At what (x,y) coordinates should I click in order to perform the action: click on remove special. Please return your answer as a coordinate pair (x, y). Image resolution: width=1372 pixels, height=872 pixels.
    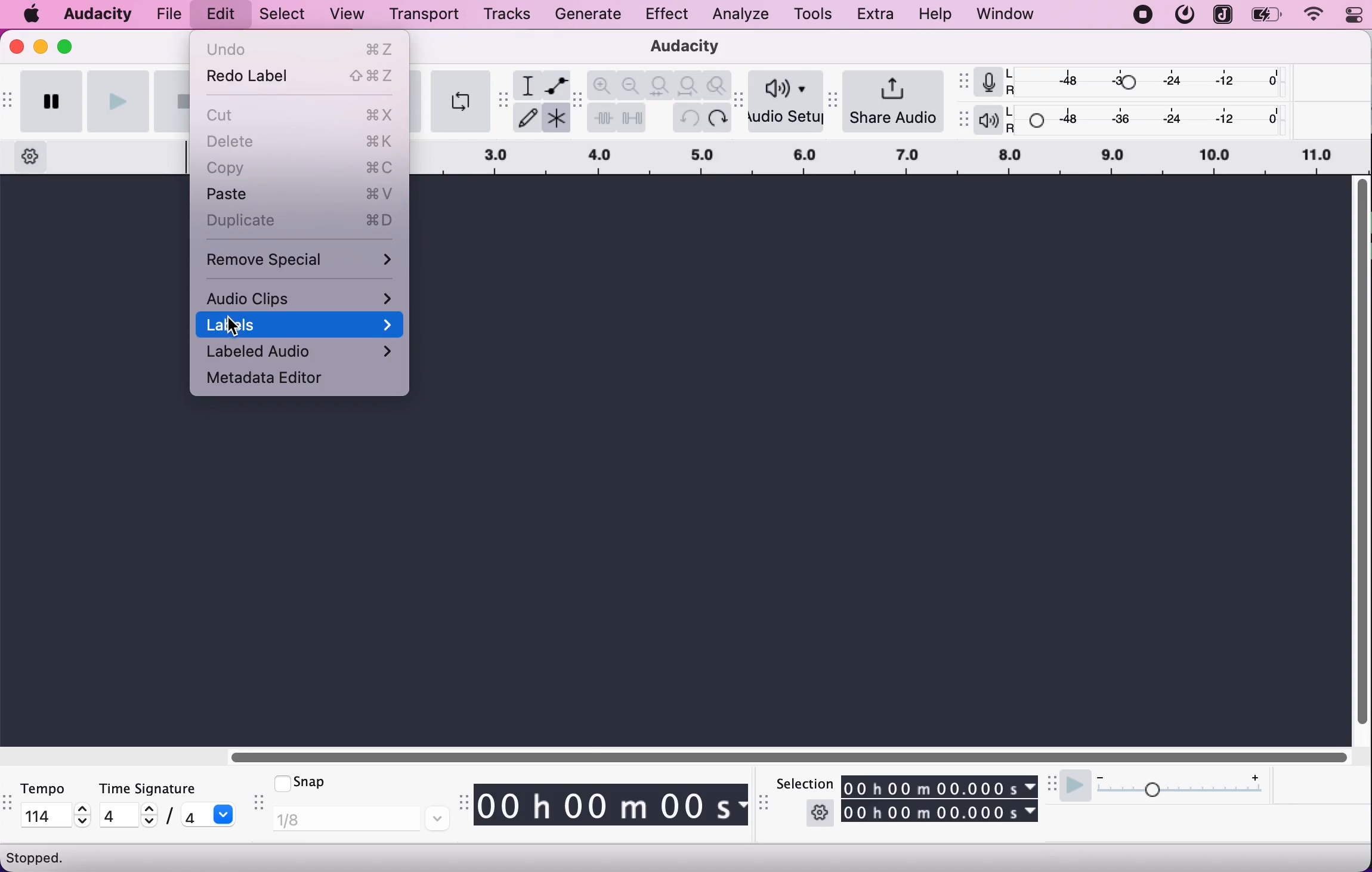
    Looking at the image, I should click on (302, 257).